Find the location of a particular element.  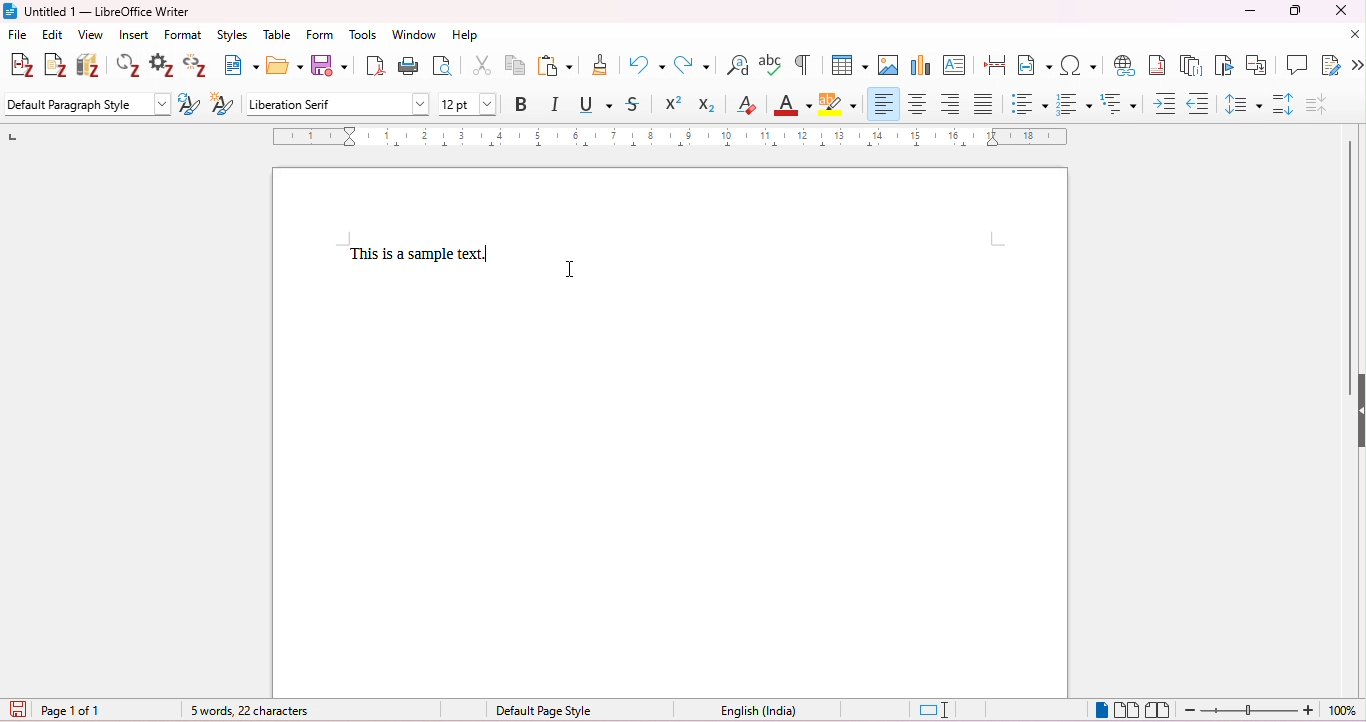

paste is located at coordinates (556, 64).